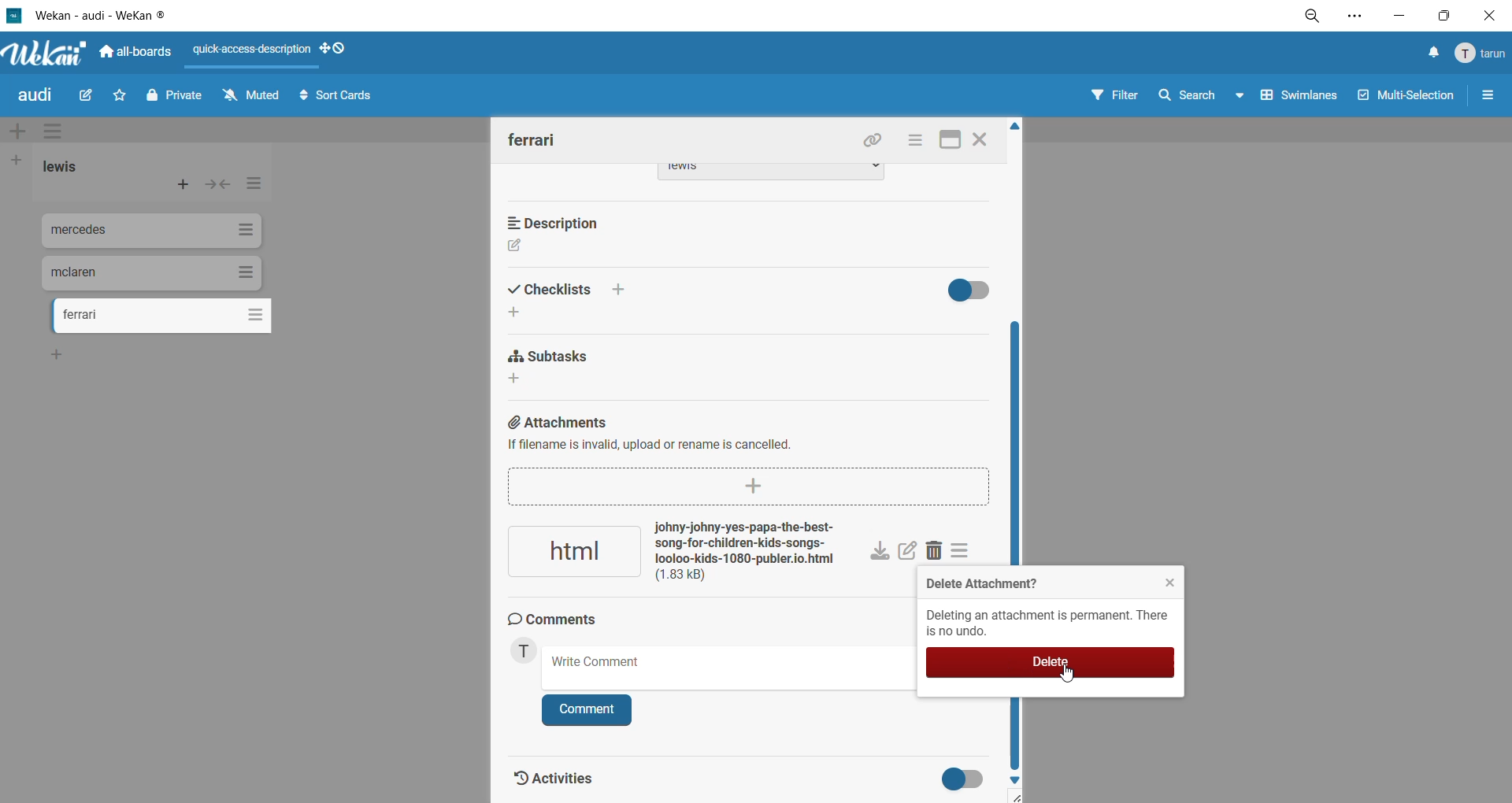 The image size is (1512, 803). I want to click on notifications, so click(1432, 54).